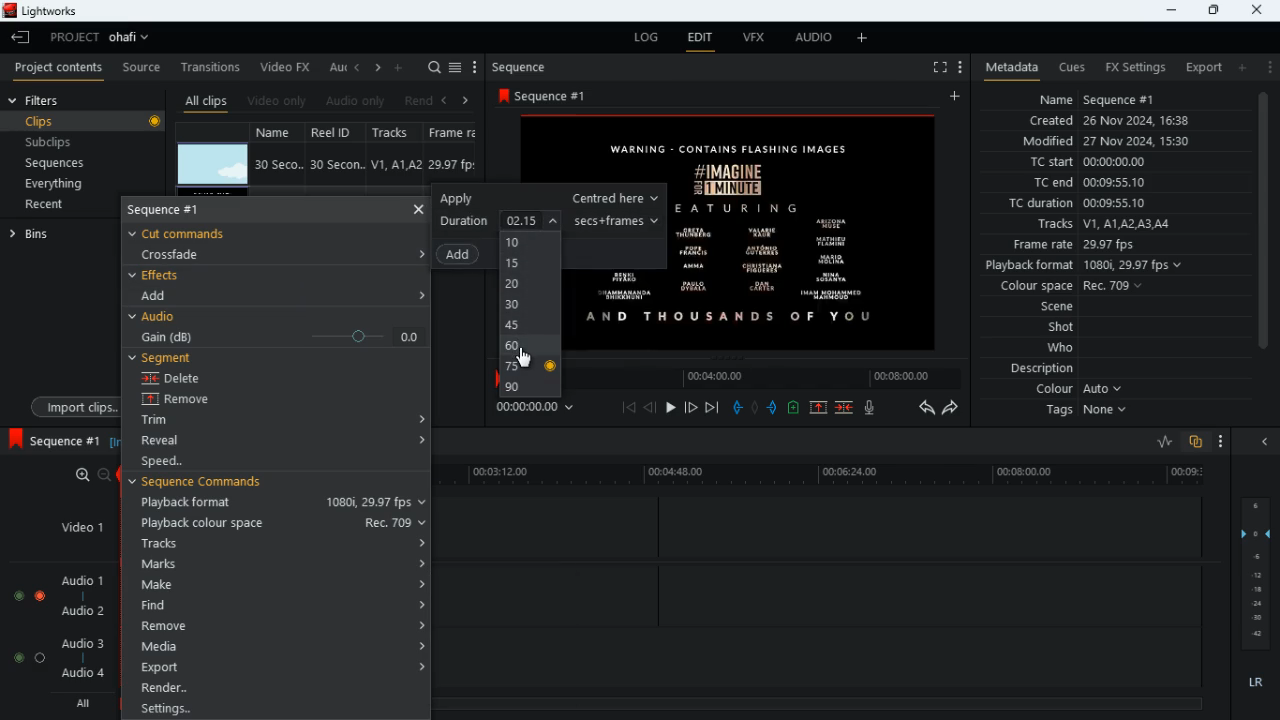 This screenshot has width=1280, height=720. Describe the element at coordinates (1269, 443) in the screenshot. I see `close` at that location.